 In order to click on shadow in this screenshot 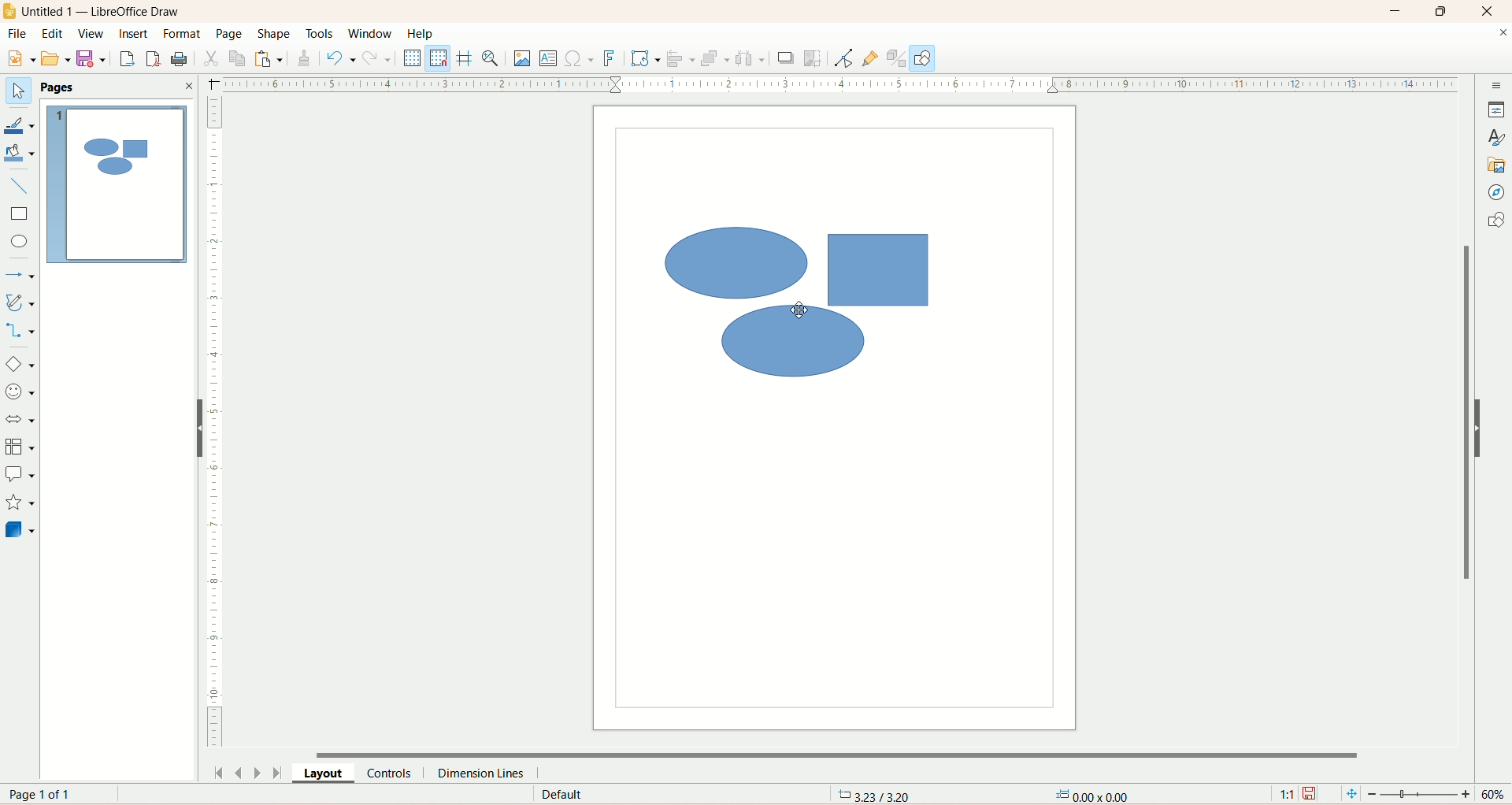, I will do `click(787, 61)`.